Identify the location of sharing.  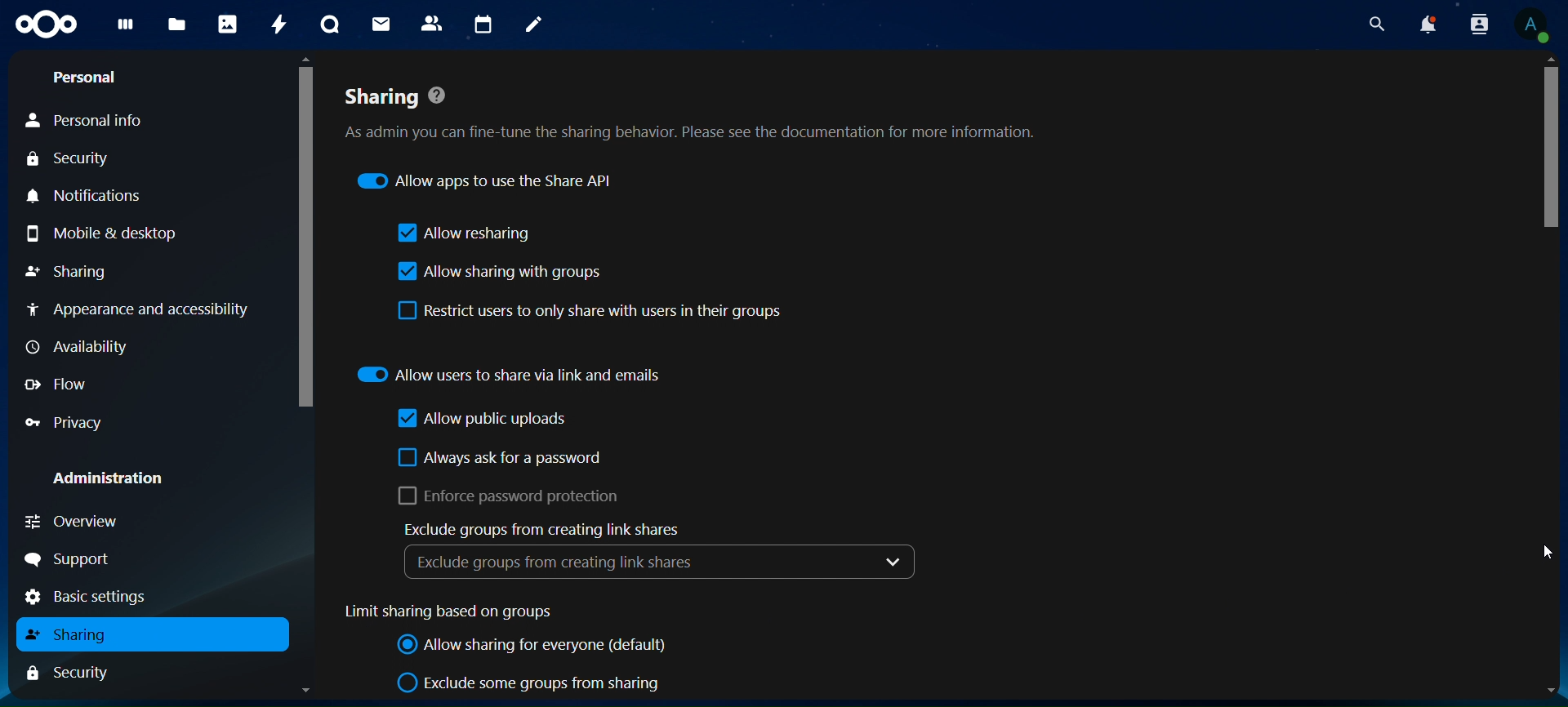
(69, 269).